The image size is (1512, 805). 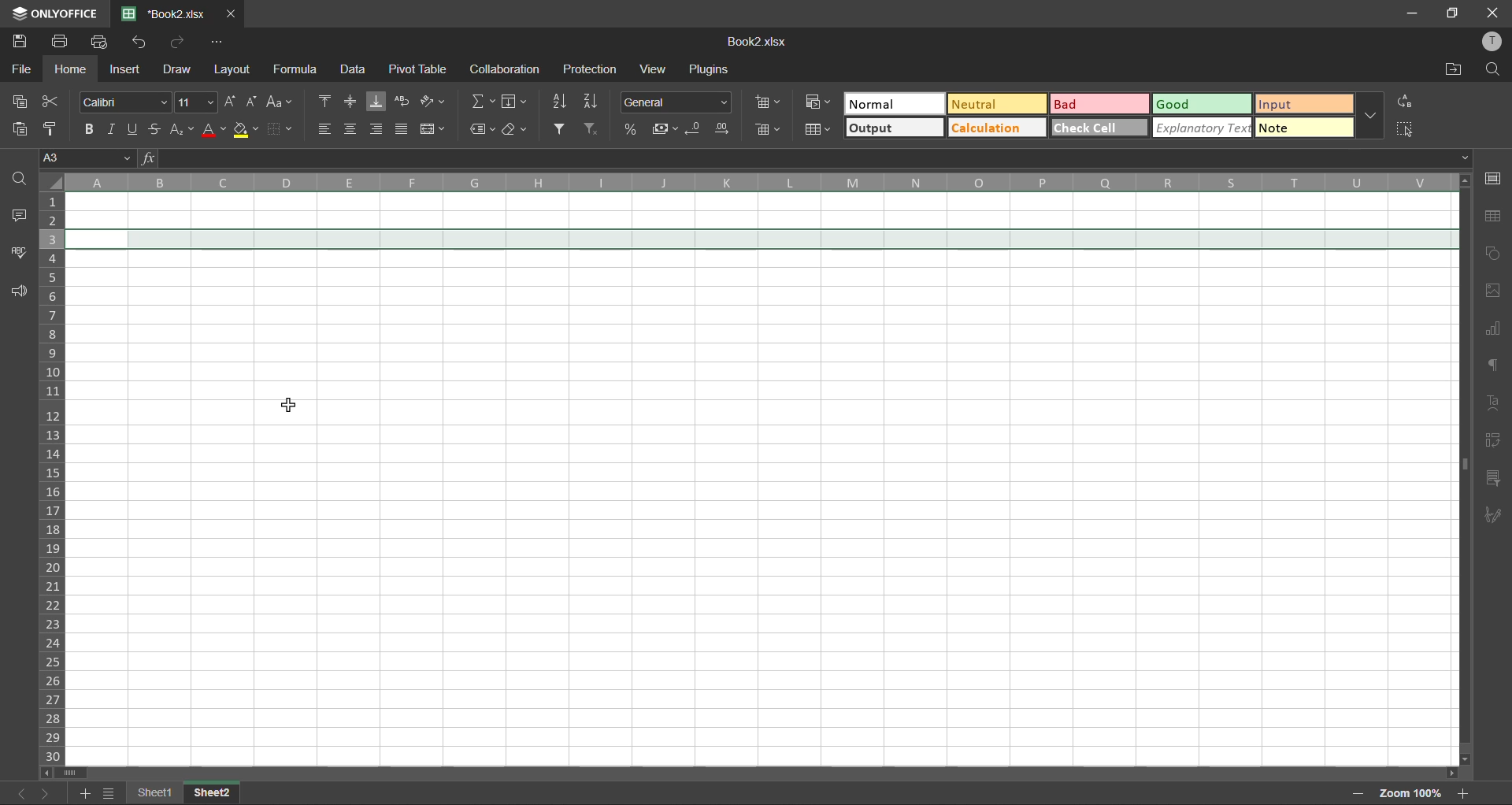 What do you see at coordinates (110, 793) in the screenshot?
I see `sheet list` at bounding box center [110, 793].